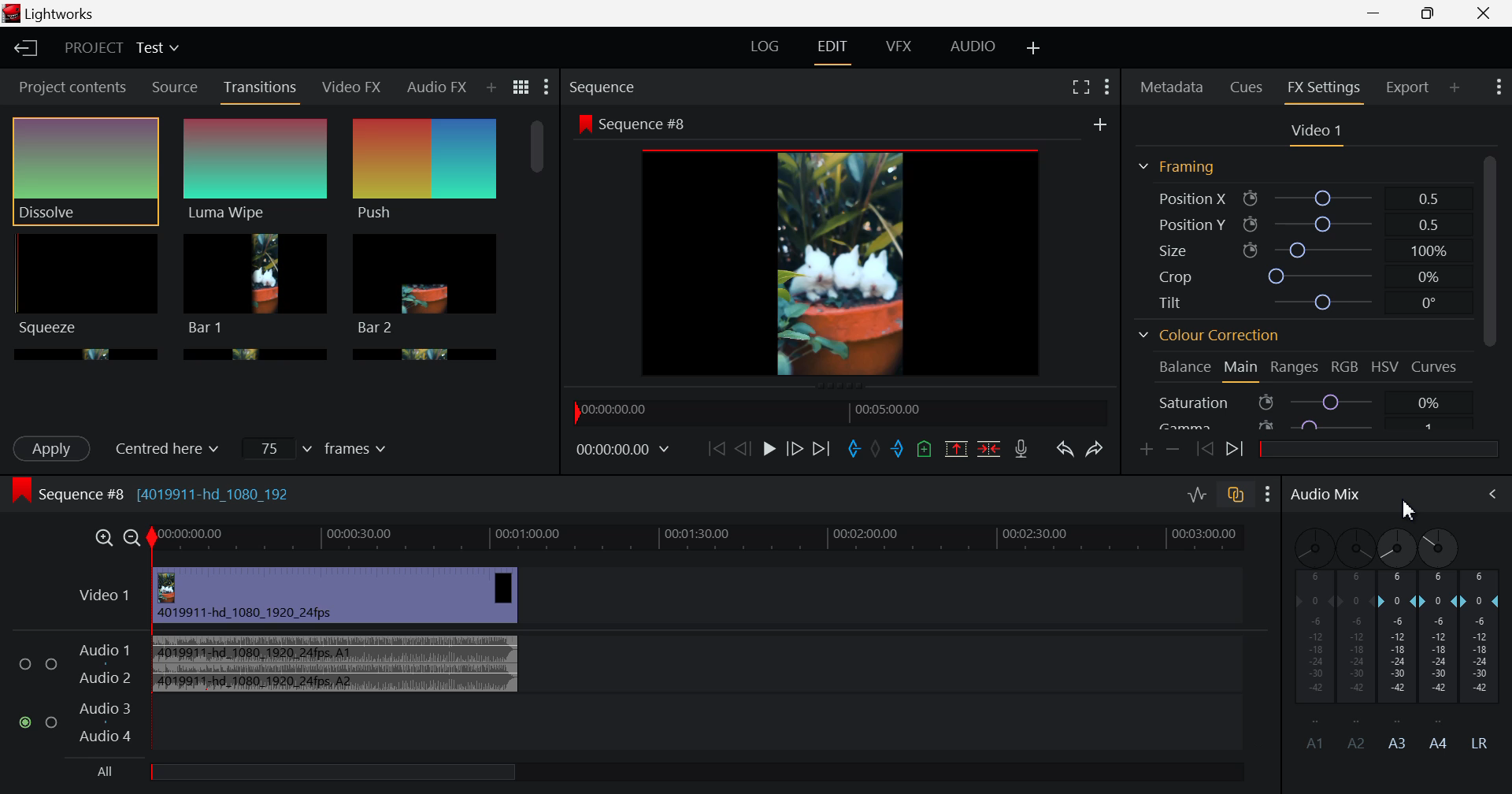  Describe the element at coordinates (491, 88) in the screenshot. I see `Add Panel` at that location.